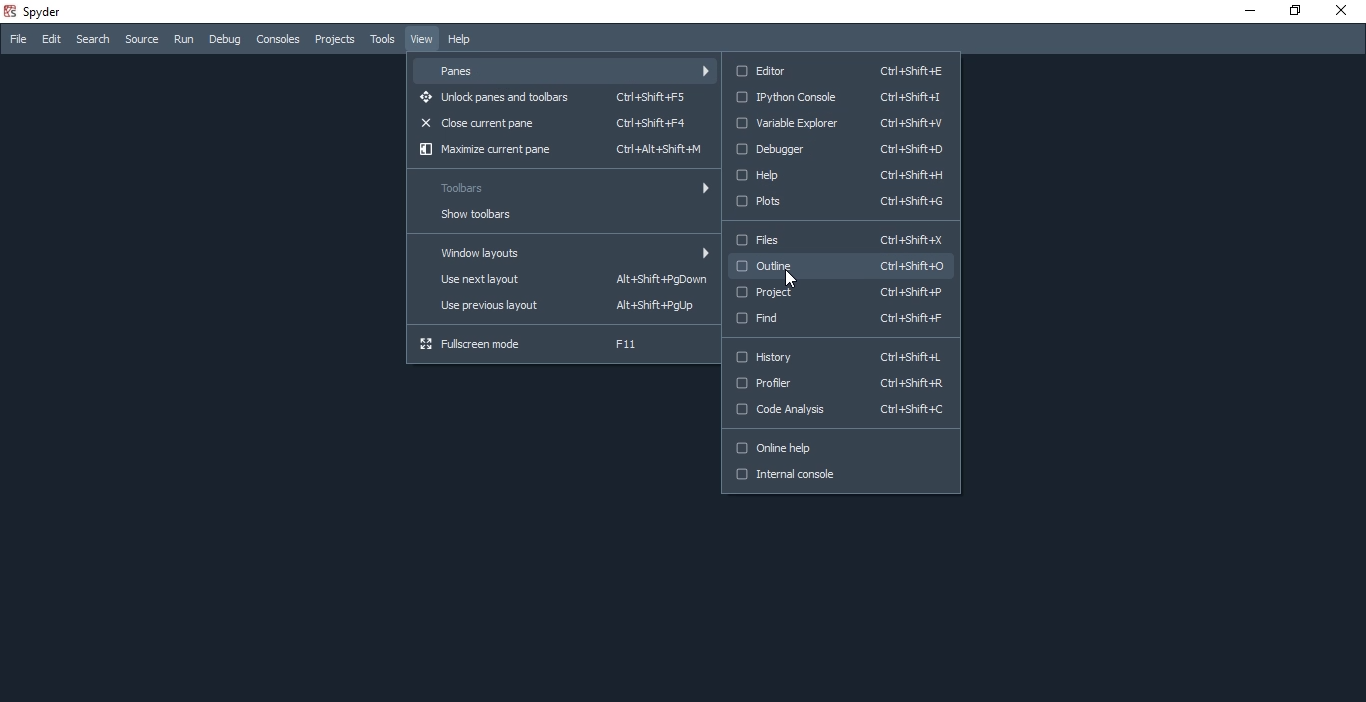 Image resolution: width=1366 pixels, height=702 pixels. Describe the element at coordinates (225, 40) in the screenshot. I see `Debug` at that location.